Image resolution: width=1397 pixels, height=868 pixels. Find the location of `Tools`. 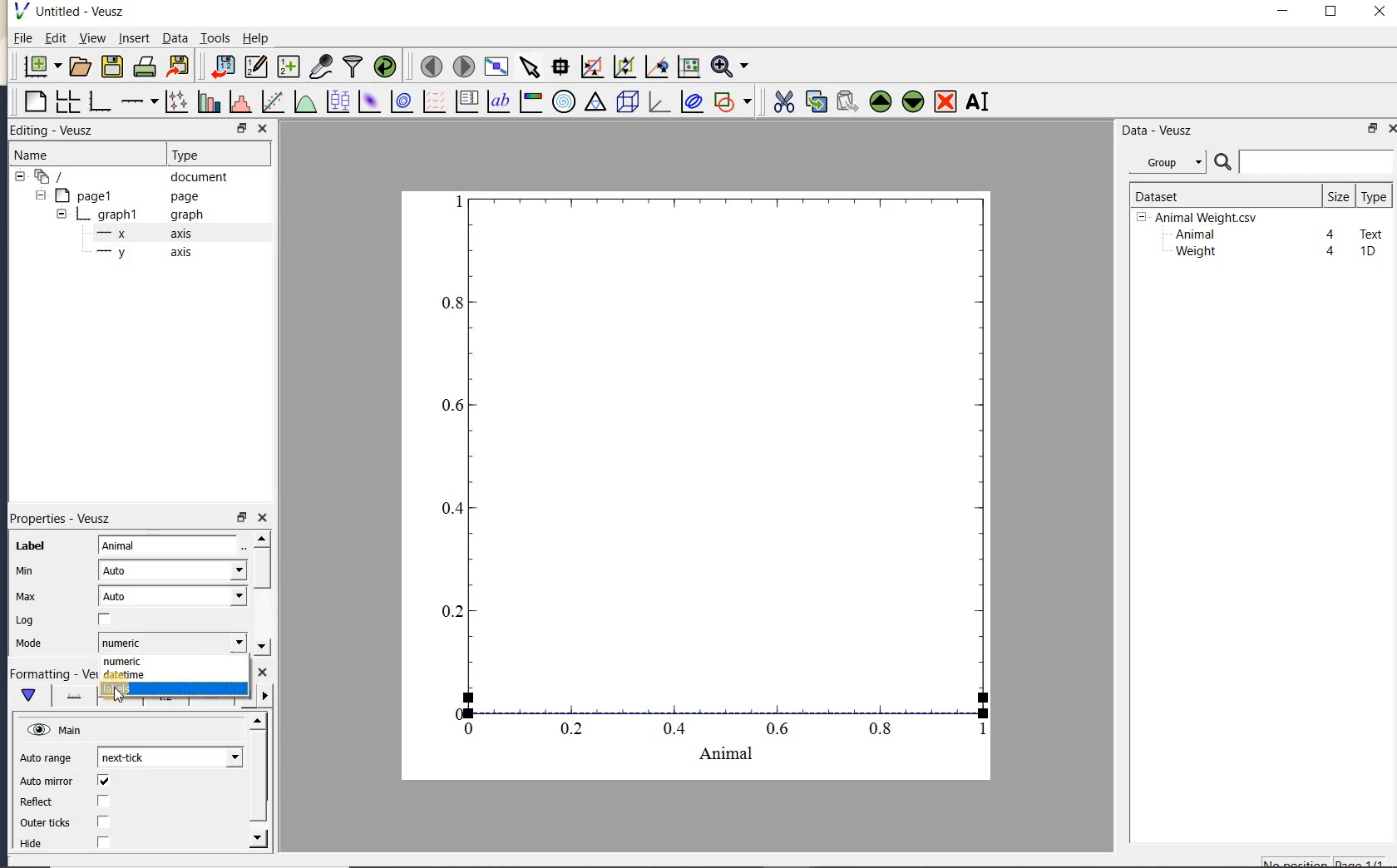

Tools is located at coordinates (216, 37).